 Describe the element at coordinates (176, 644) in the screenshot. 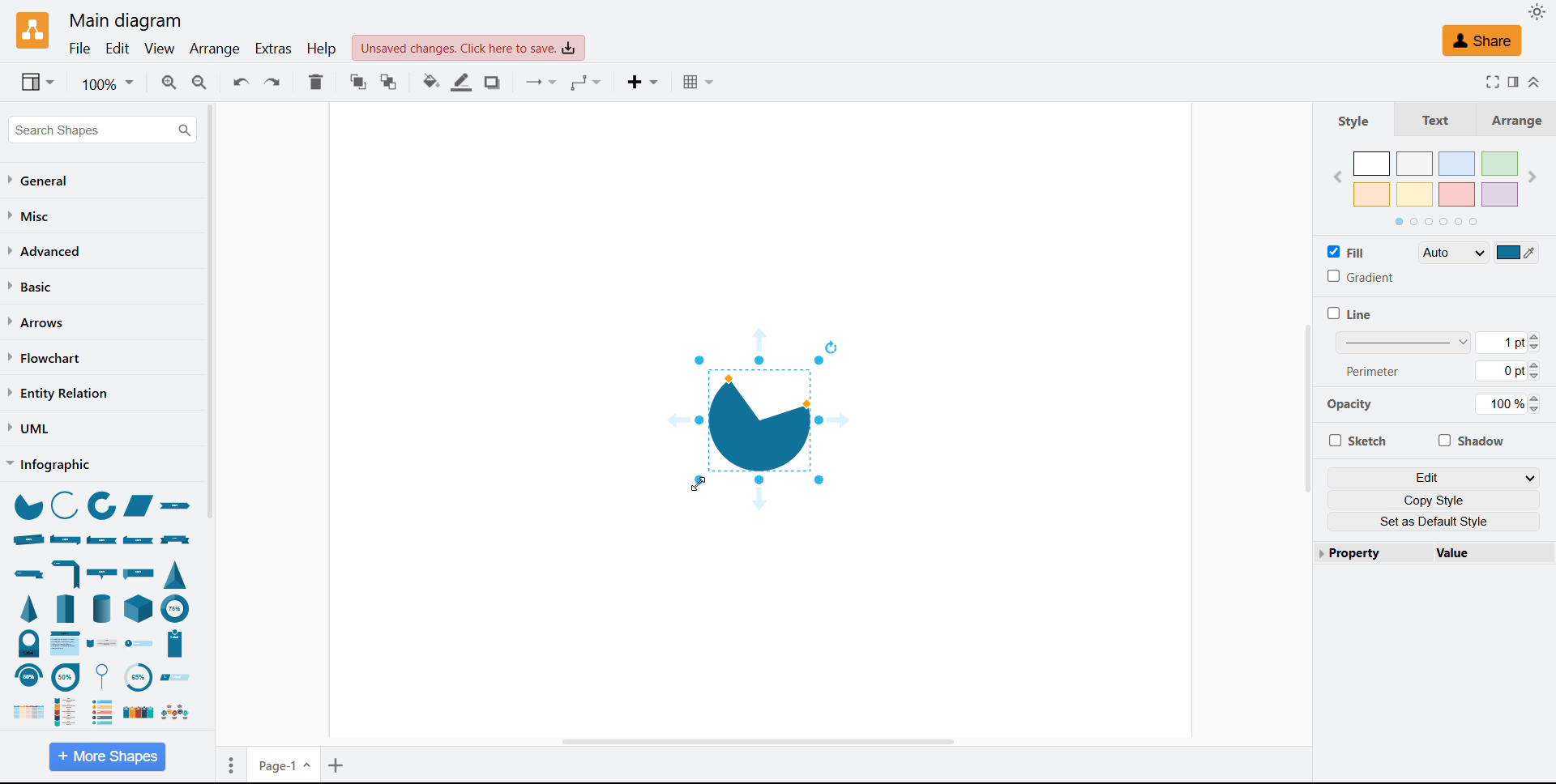

I see `numbered entry vertical` at that location.